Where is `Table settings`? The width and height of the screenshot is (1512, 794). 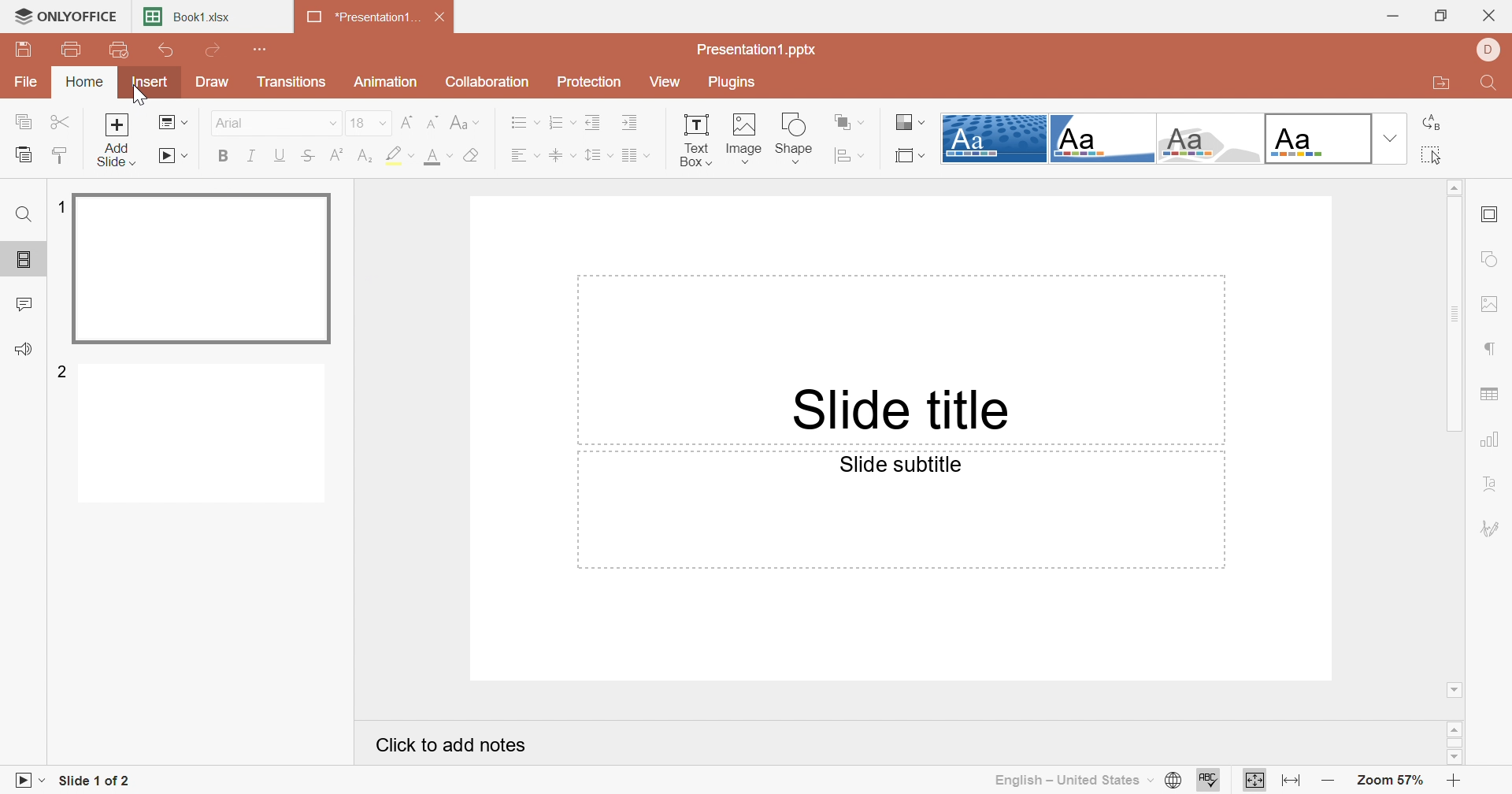 Table settings is located at coordinates (1491, 396).